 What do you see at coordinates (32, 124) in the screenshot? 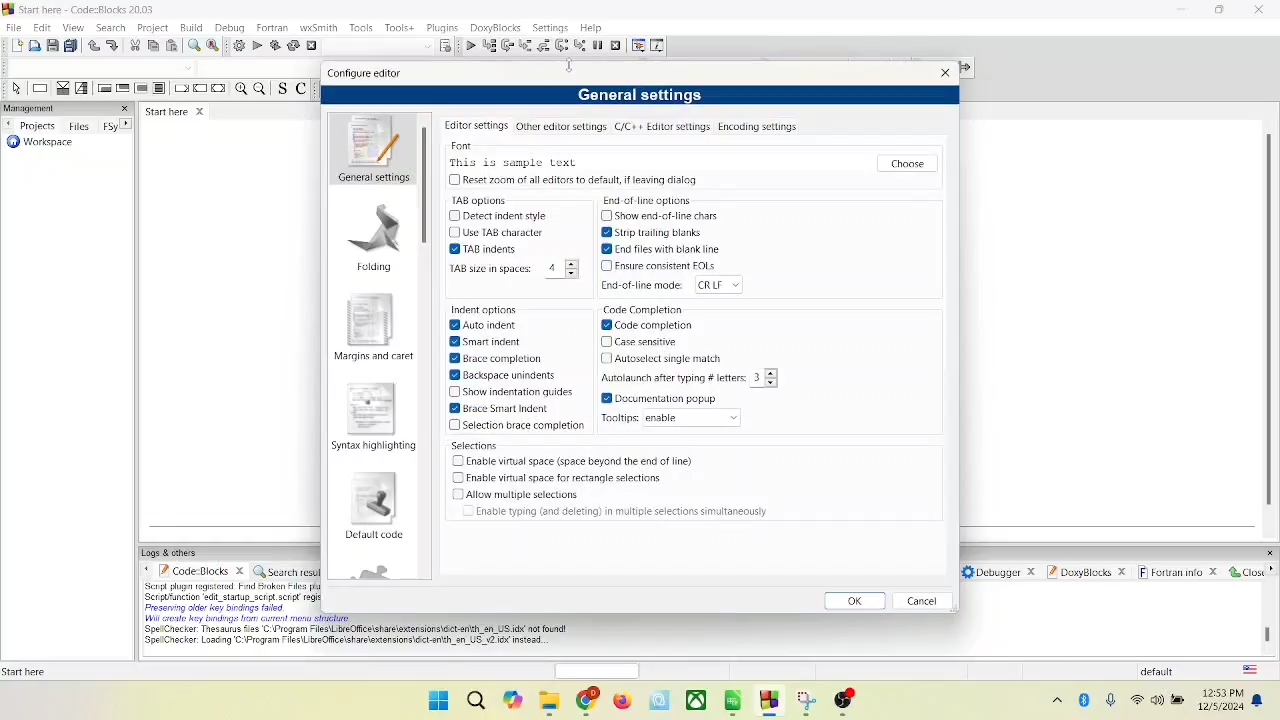
I see `projects` at bounding box center [32, 124].